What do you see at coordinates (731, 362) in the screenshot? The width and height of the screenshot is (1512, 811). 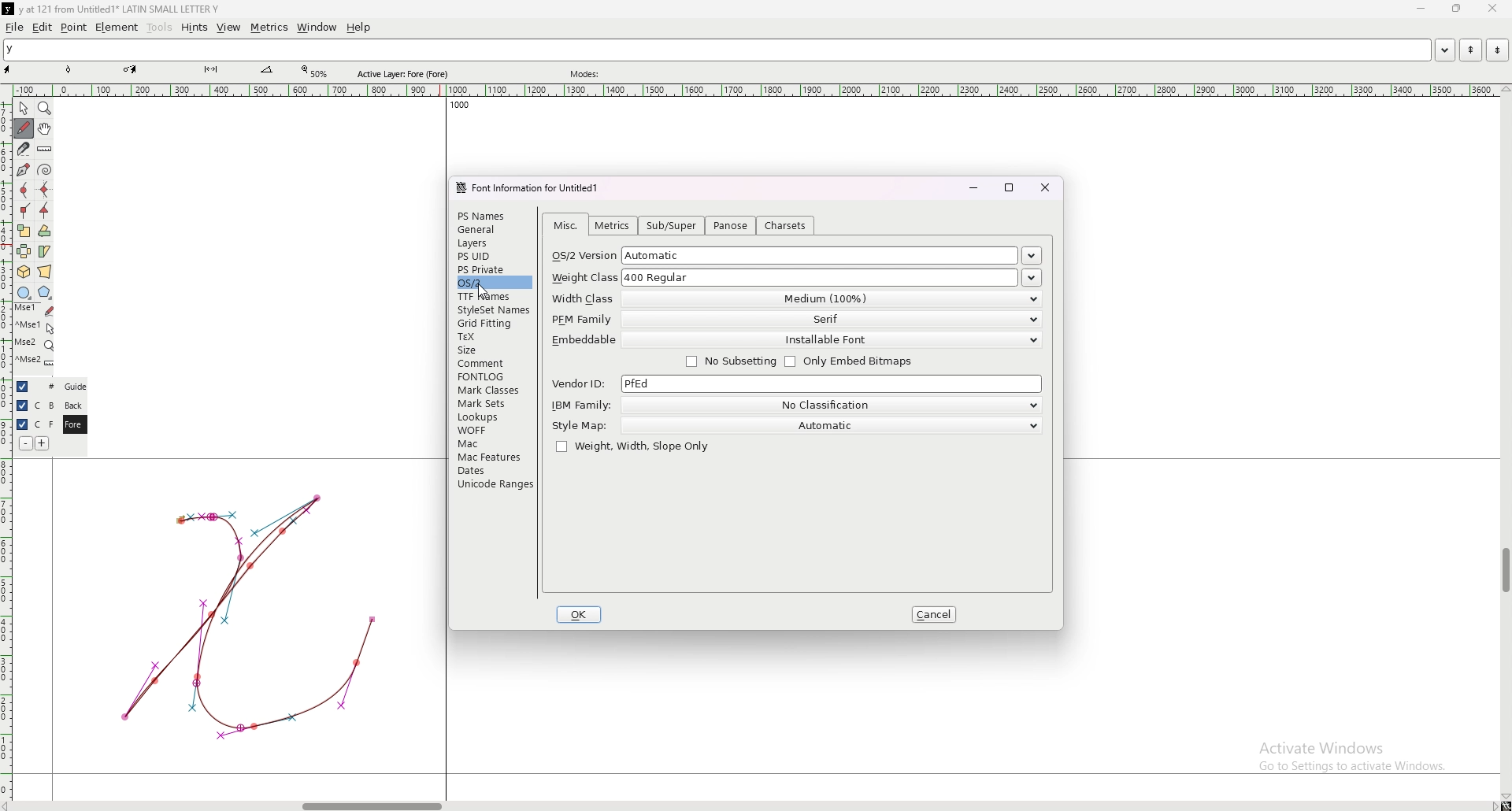 I see `no subsetting` at bounding box center [731, 362].